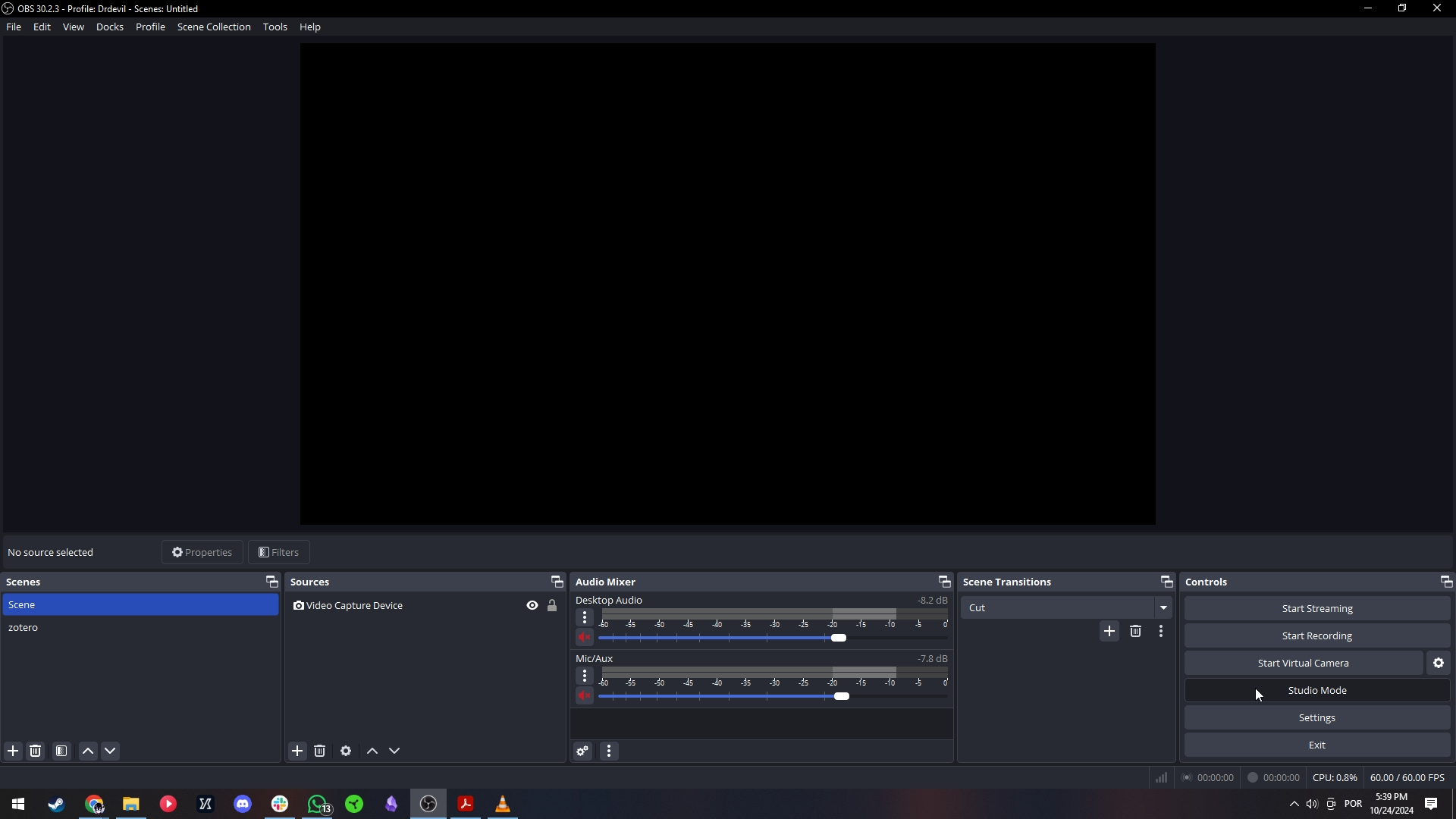 The height and width of the screenshot is (819, 1456). What do you see at coordinates (73, 27) in the screenshot?
I see `View` at bounding box center [73, 27].